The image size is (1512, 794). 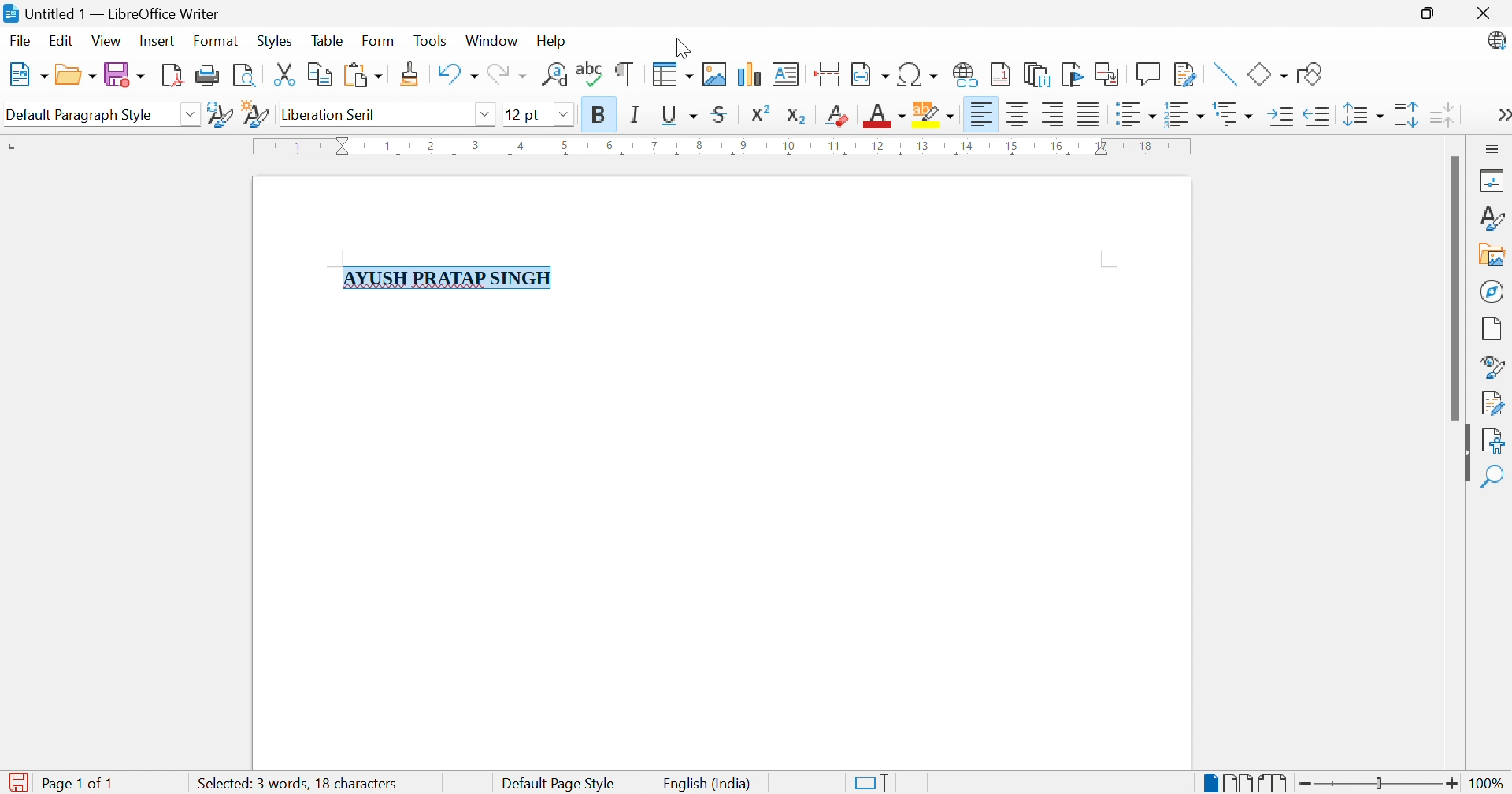 What do you see at coordinates (838, 117) in the screenshot?
I see `Clear Direct Formatting` at bounding box center [838, 117].